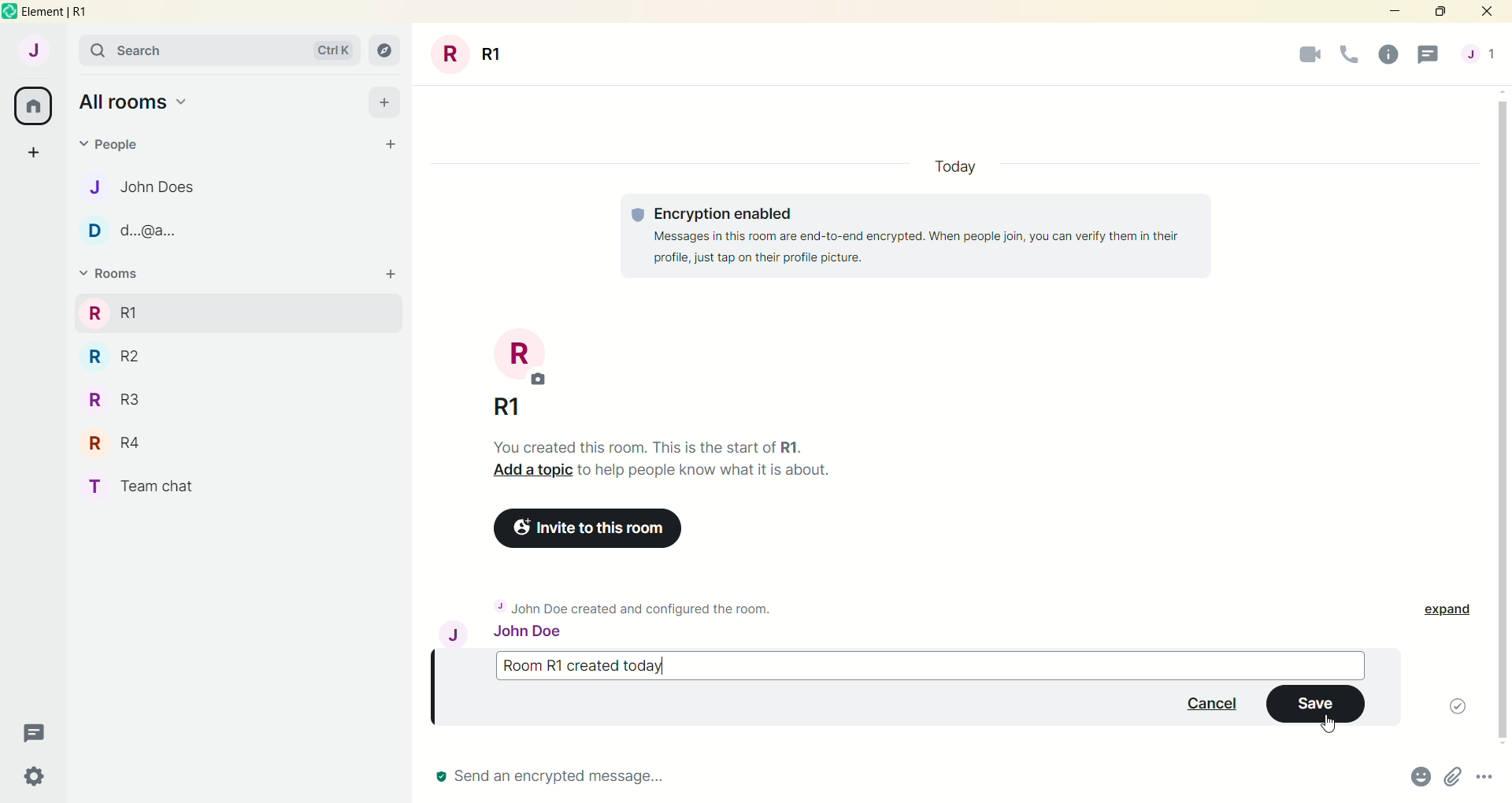 The width and height of the screenshot is (1512, 803). I want to click on rooms, so click(117, 274).